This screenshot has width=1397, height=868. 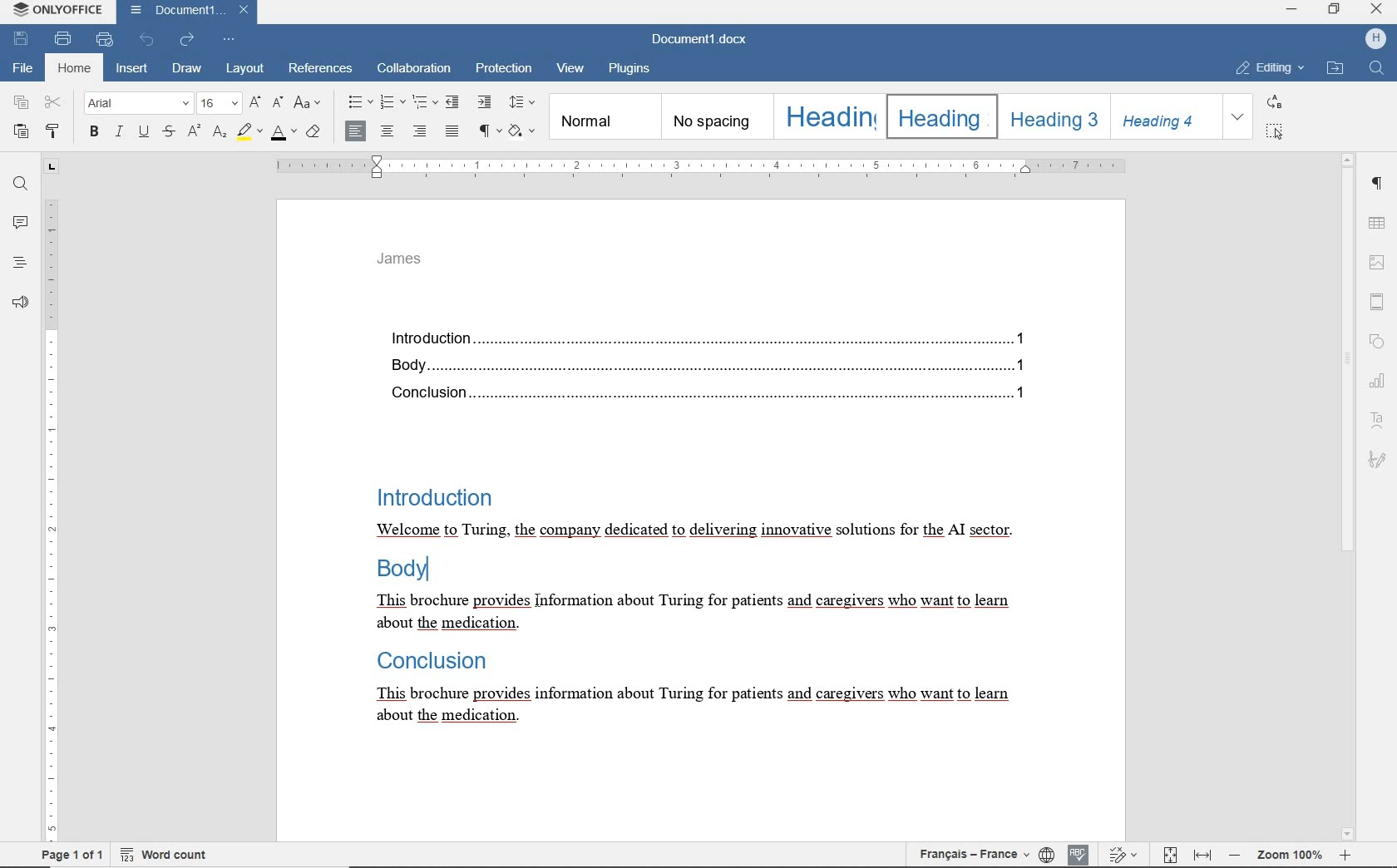 What do you see at coordinates (63, 38) in the screenshot?
I see `PRINT` at bounding box center [63, 38].